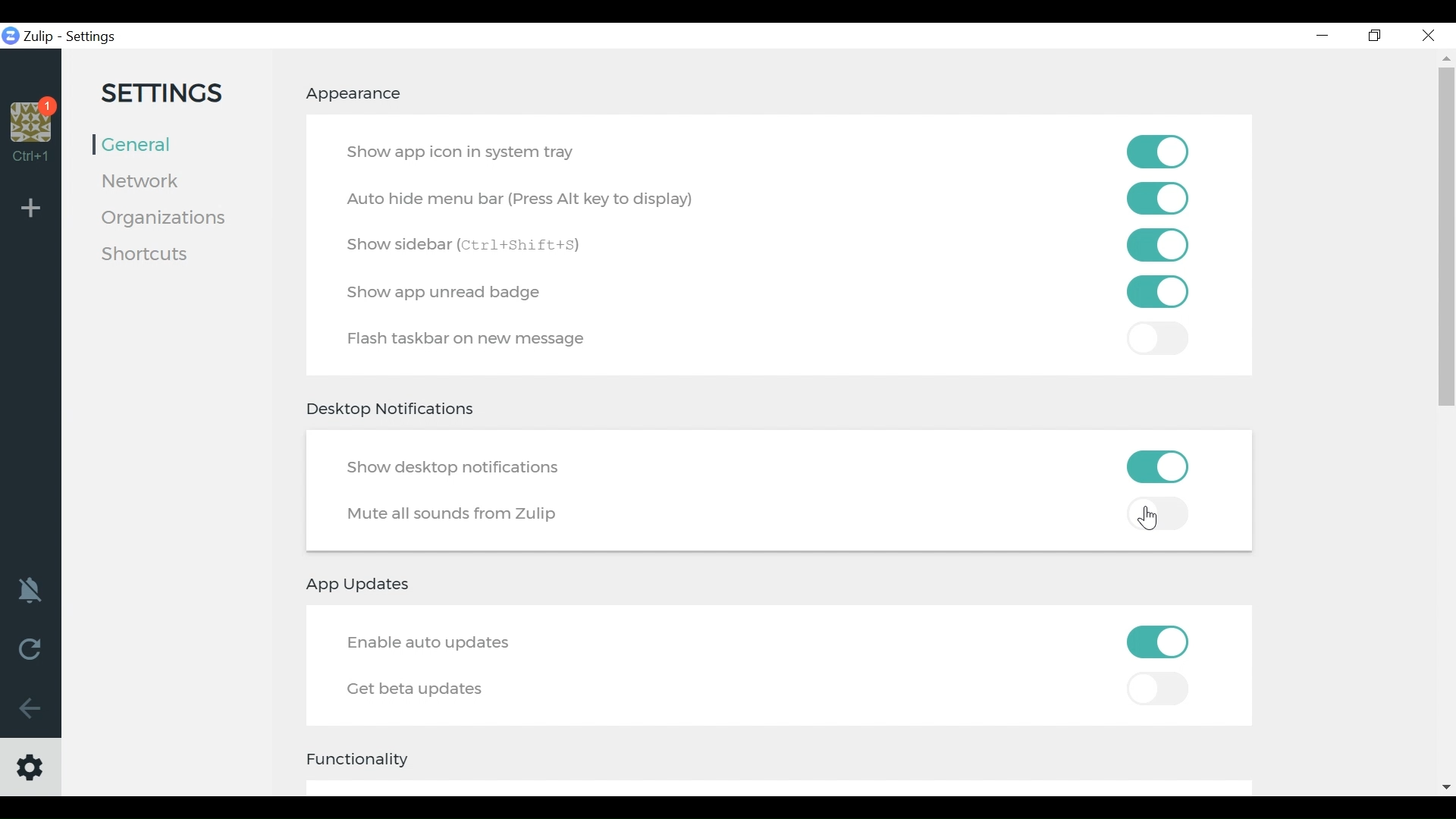  I want to click on App updates, so click(362, 584).